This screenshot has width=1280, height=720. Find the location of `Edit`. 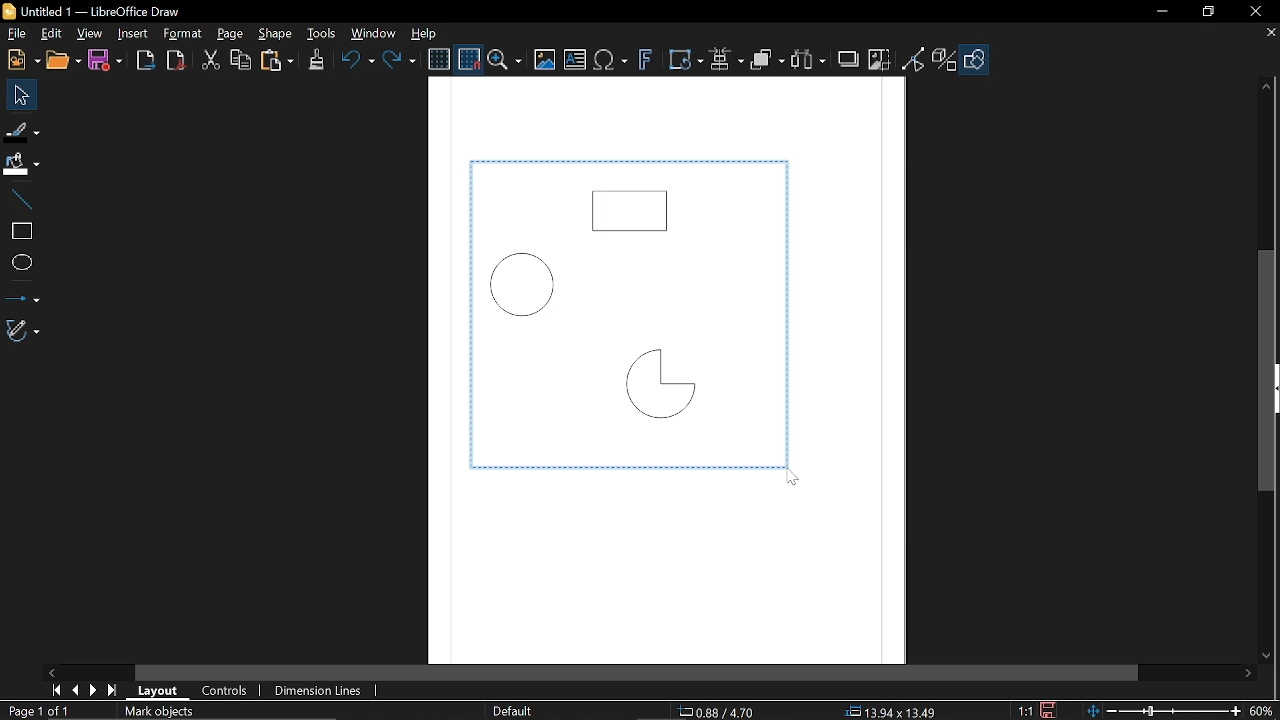

Edit is located at coordinates (50, 35).